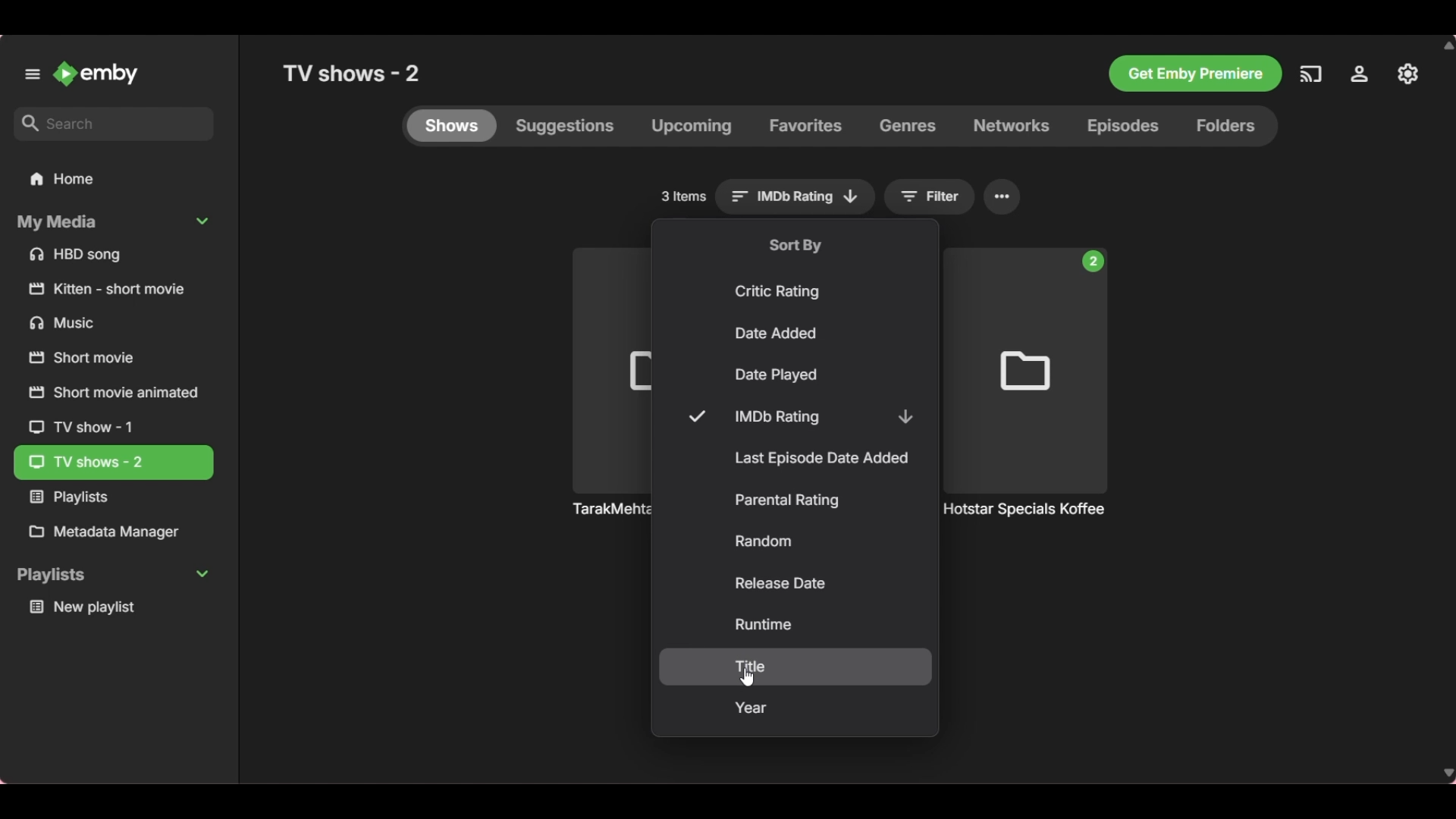 The width and height of the screenshot is (1456, 819). I want to click on Title of list, so click(795, 244).